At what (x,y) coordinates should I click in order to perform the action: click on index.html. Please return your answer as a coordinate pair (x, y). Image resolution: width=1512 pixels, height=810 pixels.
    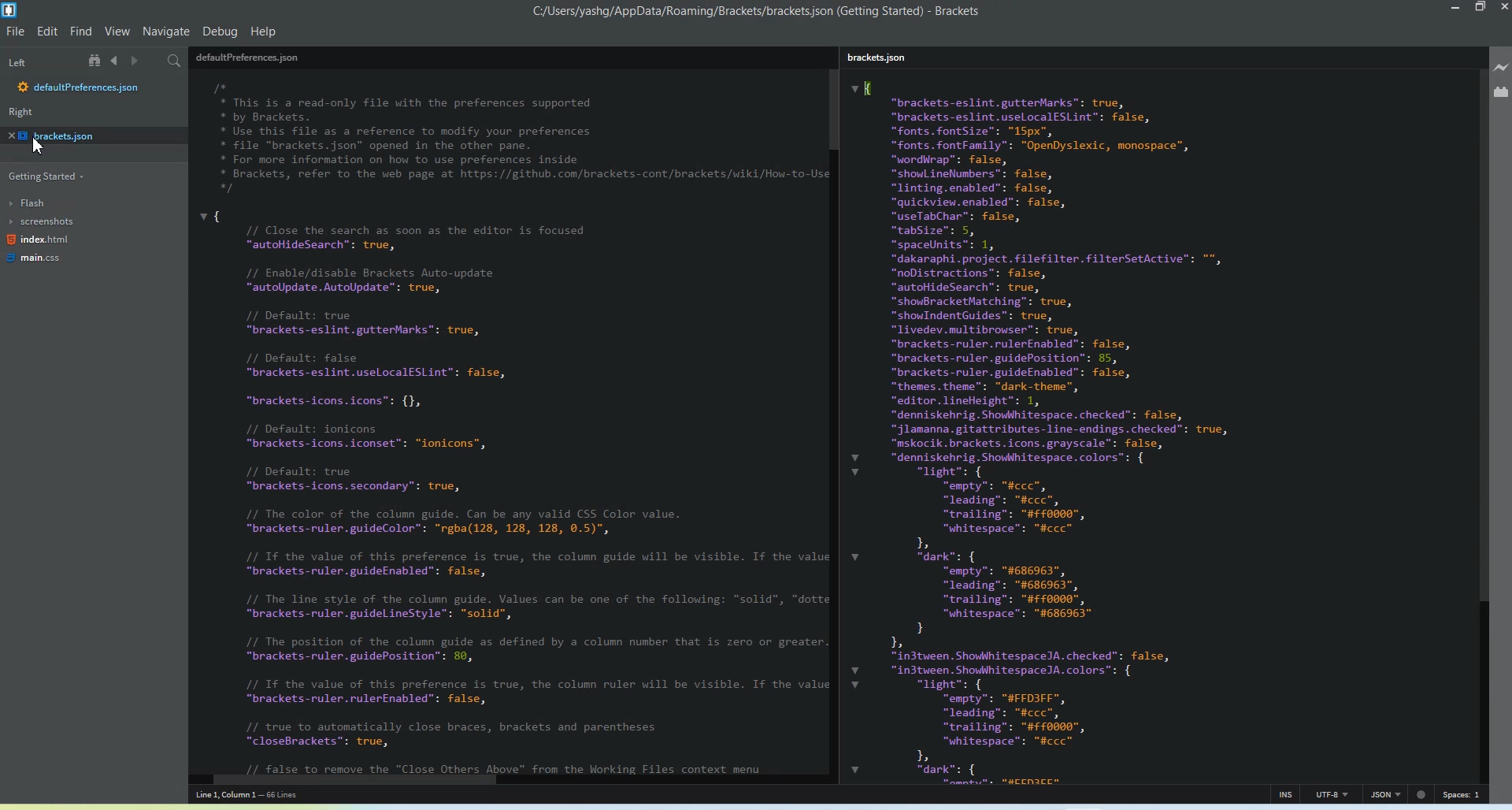
    Looking at the image, I should click on (38, 242).